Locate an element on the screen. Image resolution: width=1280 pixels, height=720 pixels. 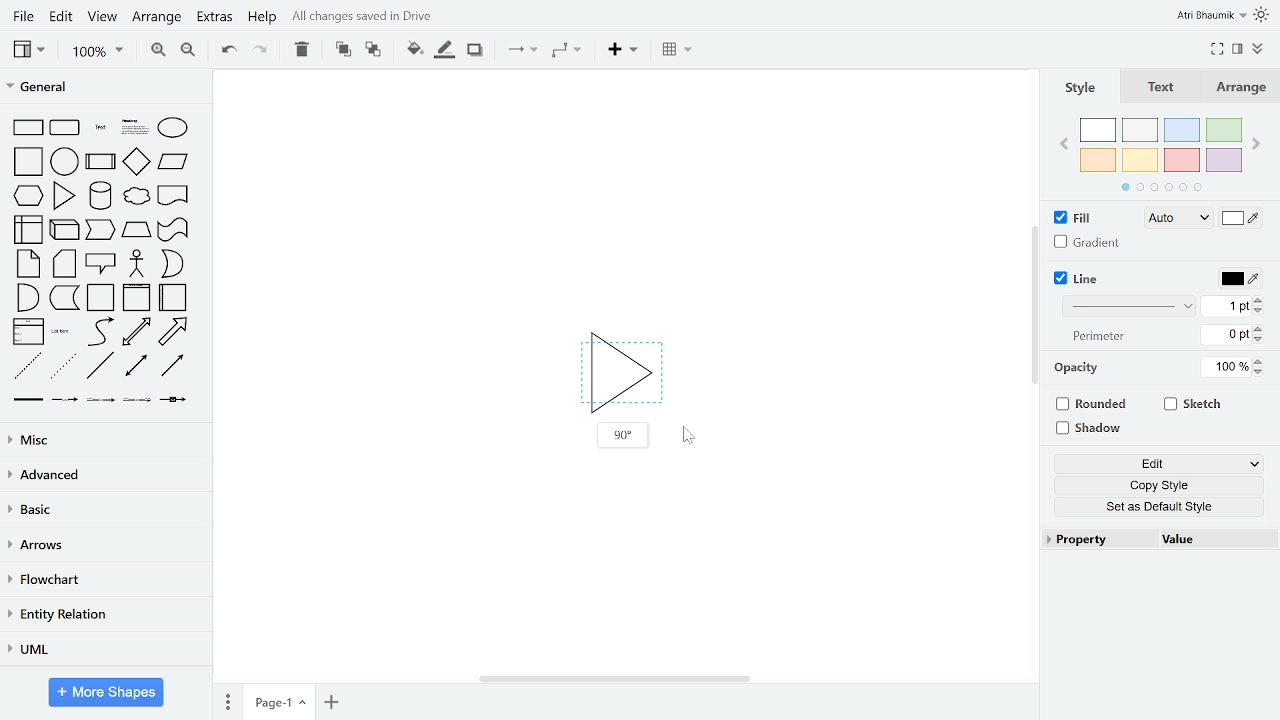
connector with label is located at coordinates (63, 401).